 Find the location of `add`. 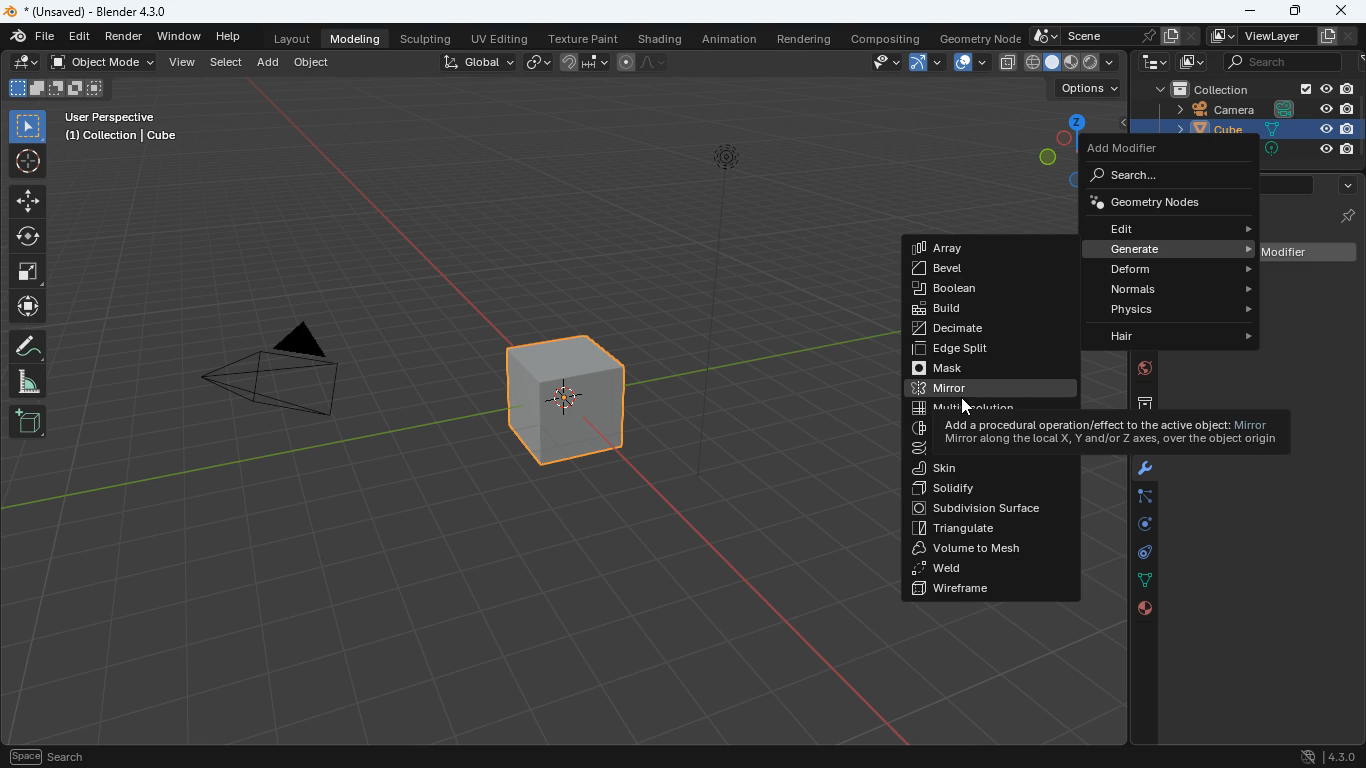

add is located at coordinates (28, 421).